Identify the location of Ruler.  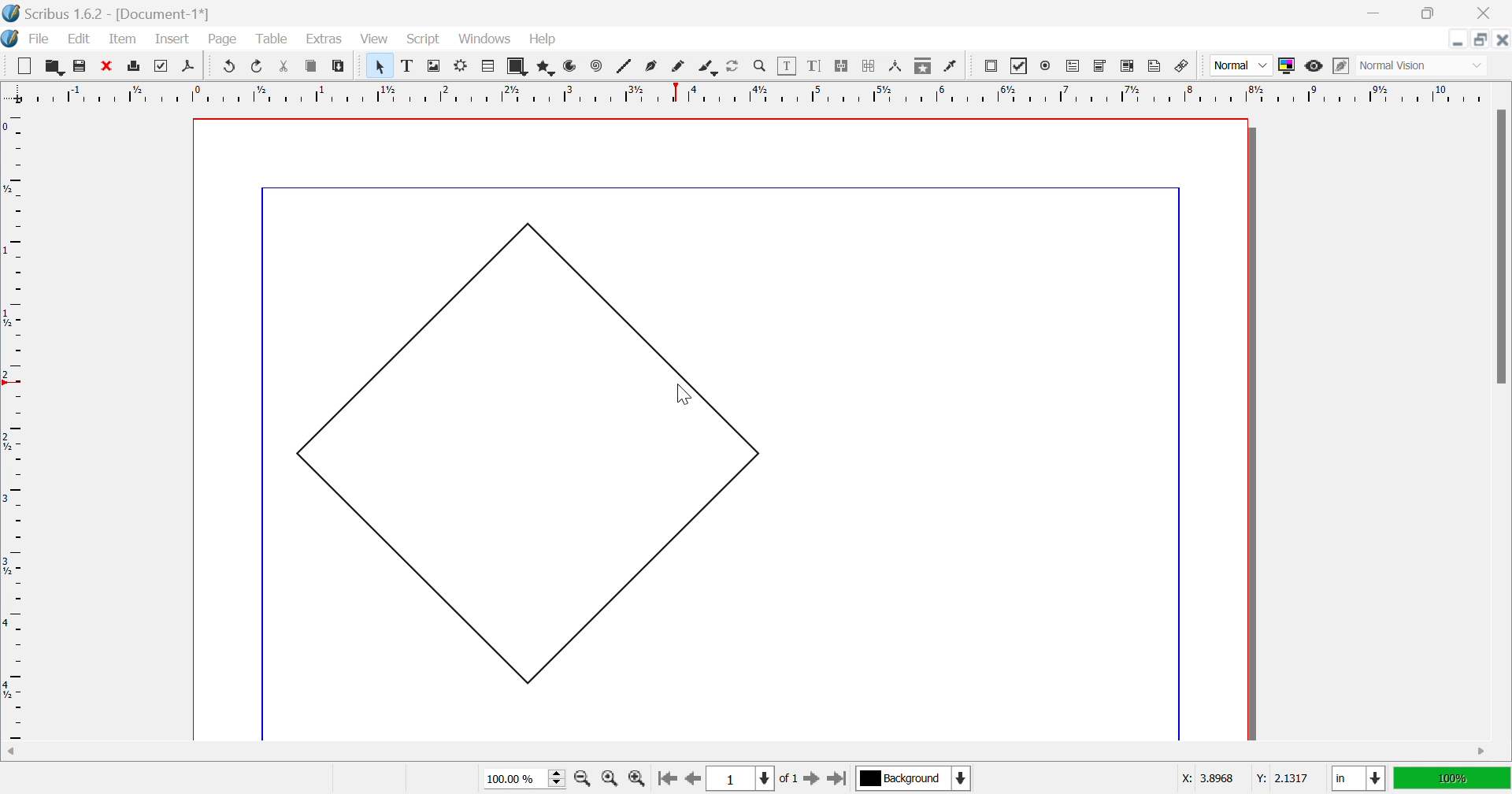
(14, 425).